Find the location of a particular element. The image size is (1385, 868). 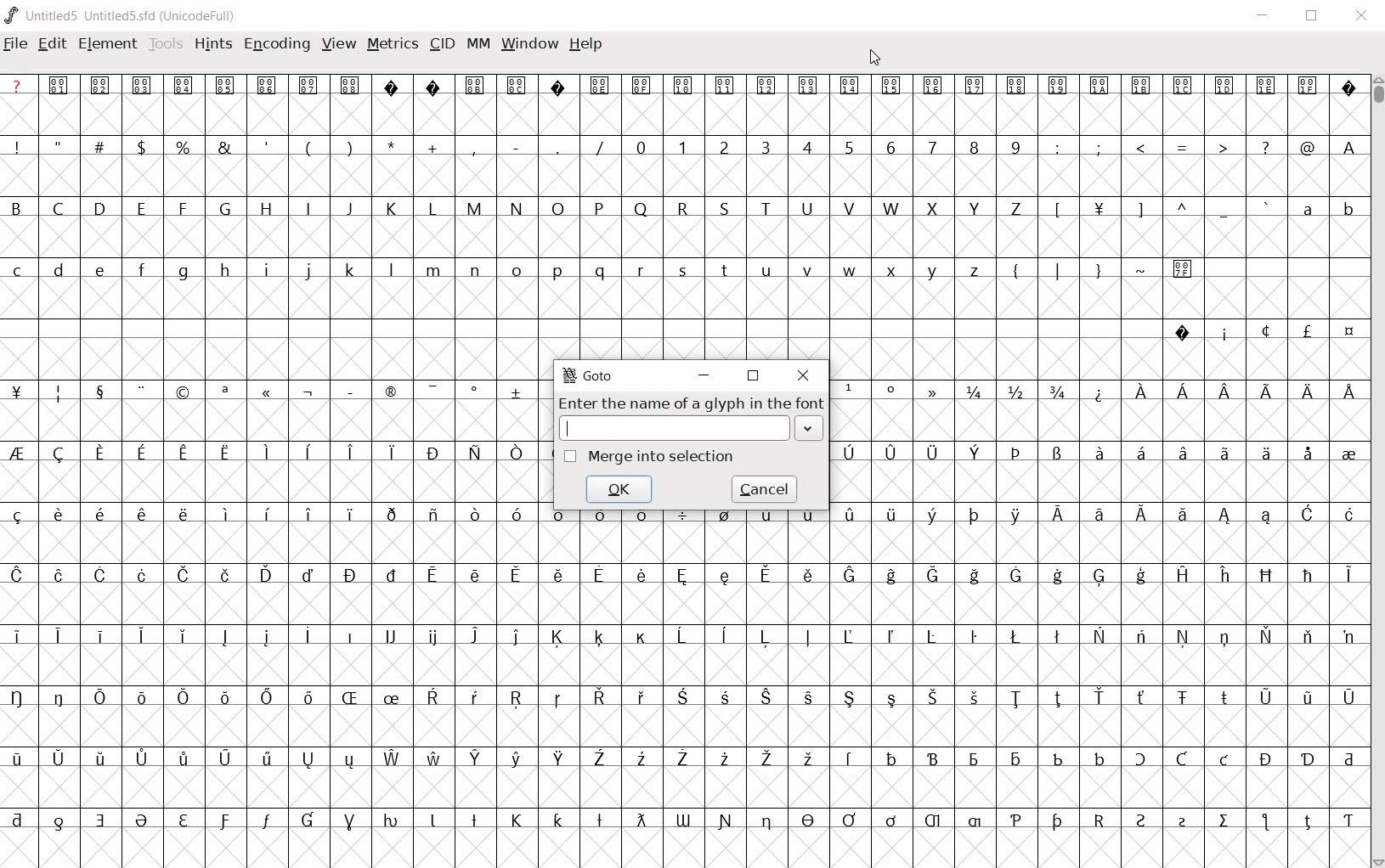

Symbol is located at coordinates (889, 578).